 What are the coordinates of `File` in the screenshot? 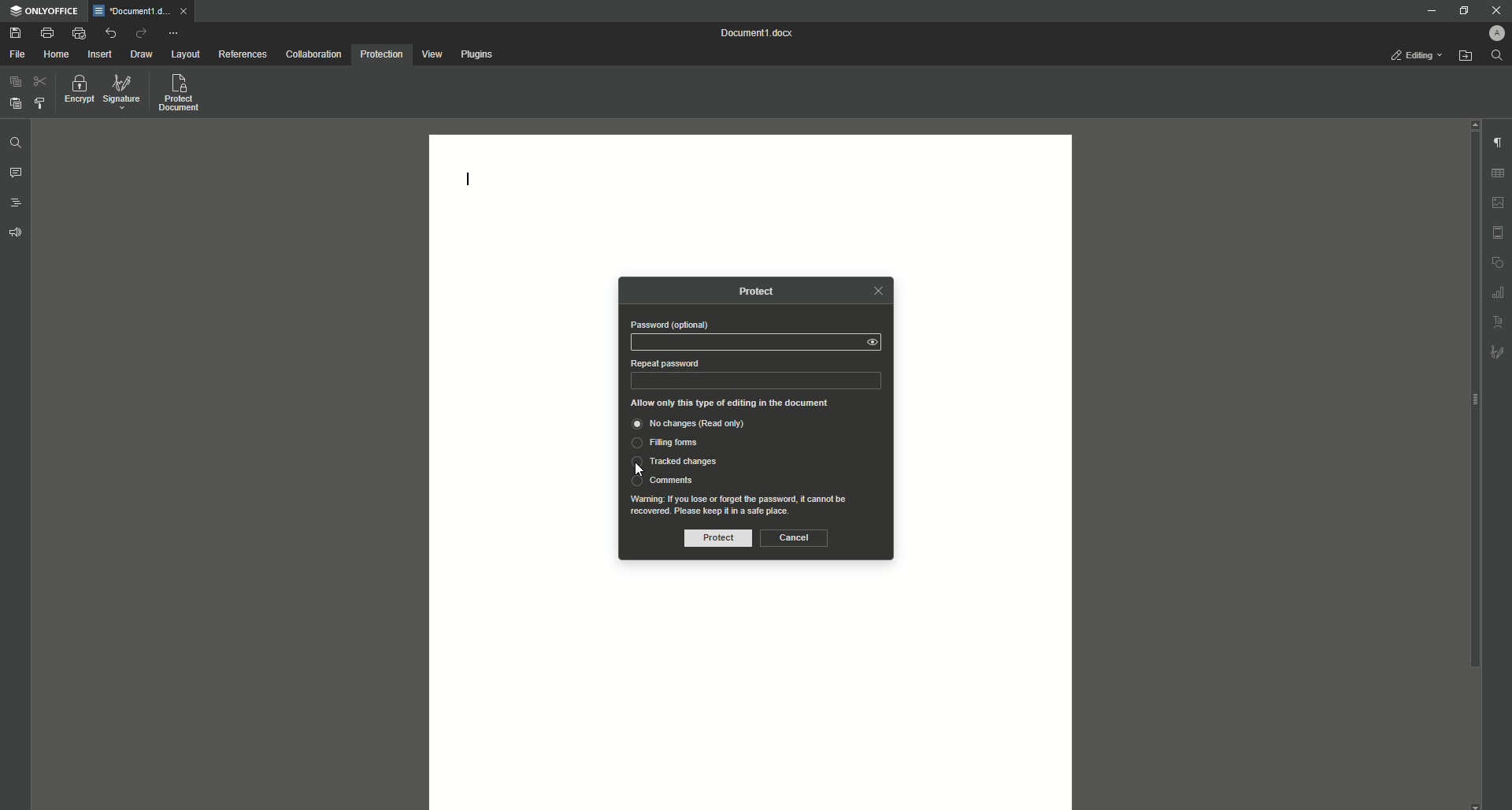 It's located at (17, 54).